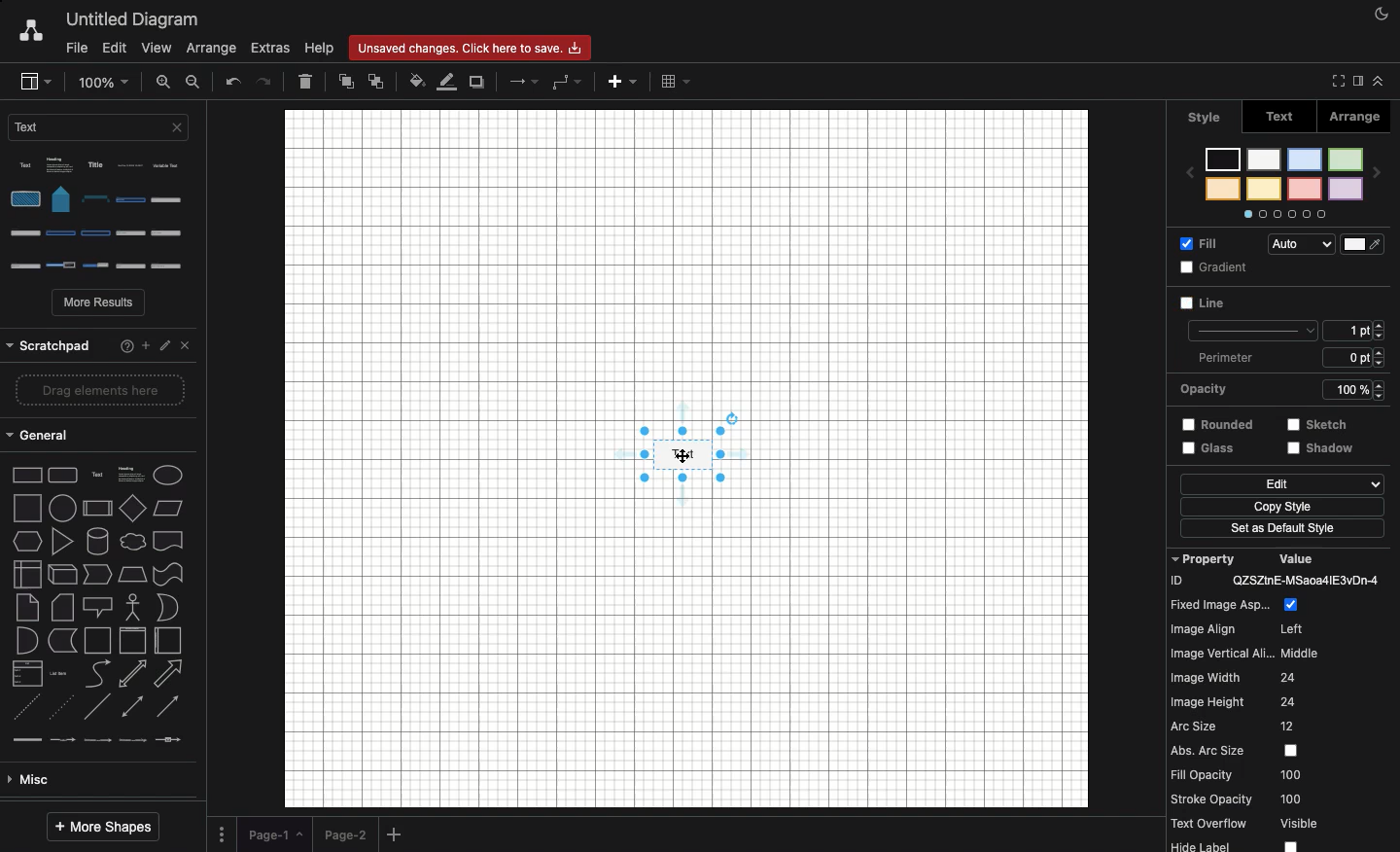  I want to click on Fill color, so click(417, 83).